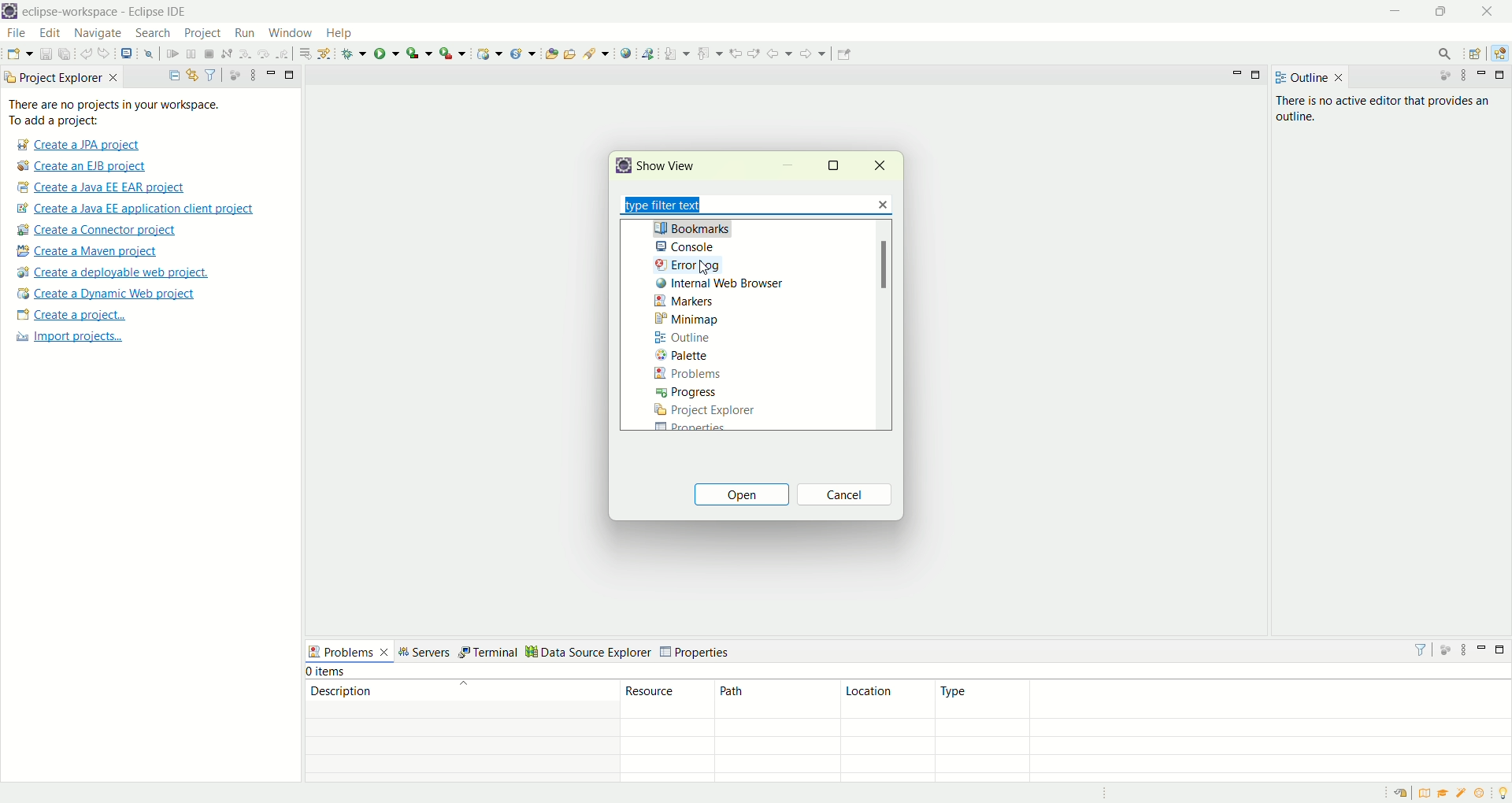 The width and height of the screenshot is (1512, 803). I want to click on items, so click(328, 672).